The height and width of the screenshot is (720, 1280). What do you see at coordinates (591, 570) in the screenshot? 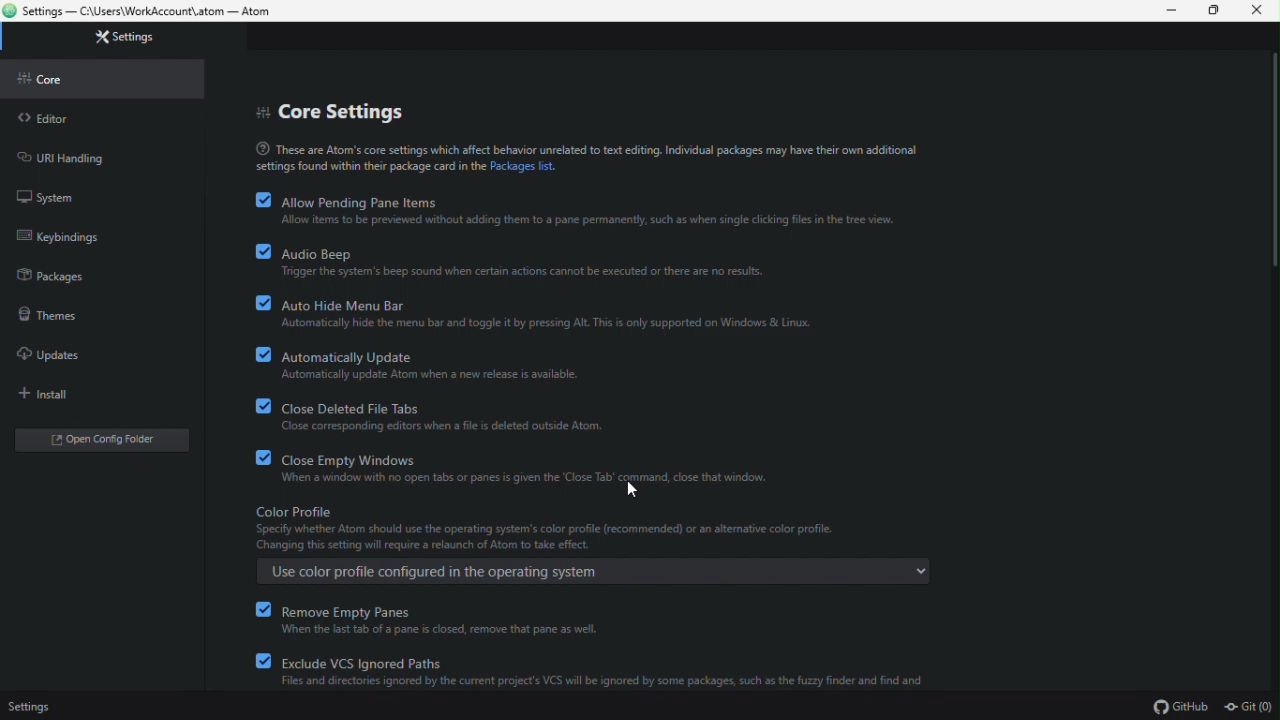
I see `color profile` at bounding box center [591, 570].